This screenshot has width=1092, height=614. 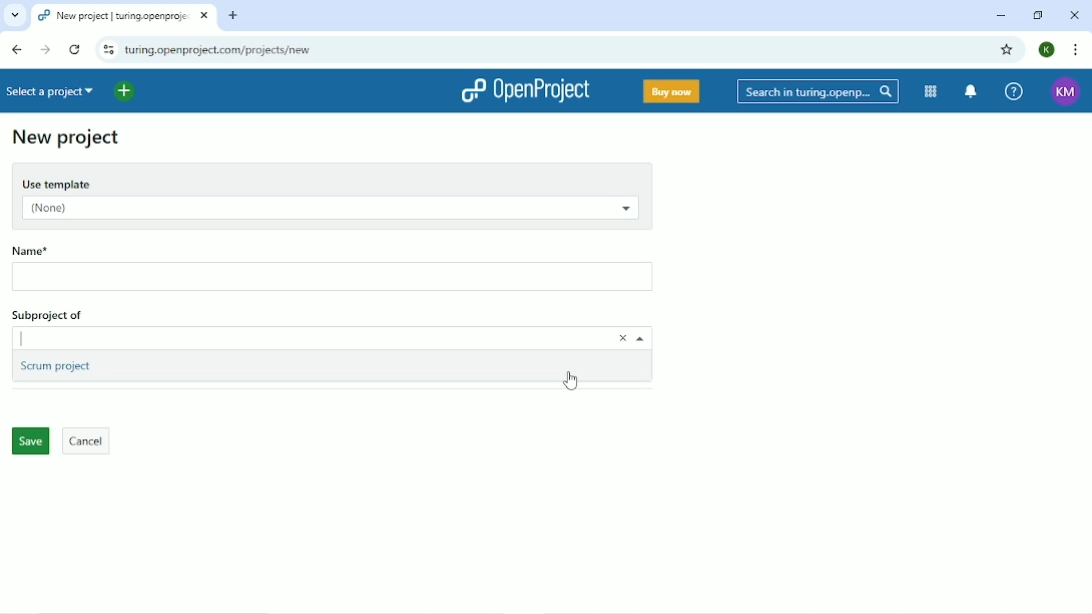 I want to click on Cancel, so click(x=87, y=441).